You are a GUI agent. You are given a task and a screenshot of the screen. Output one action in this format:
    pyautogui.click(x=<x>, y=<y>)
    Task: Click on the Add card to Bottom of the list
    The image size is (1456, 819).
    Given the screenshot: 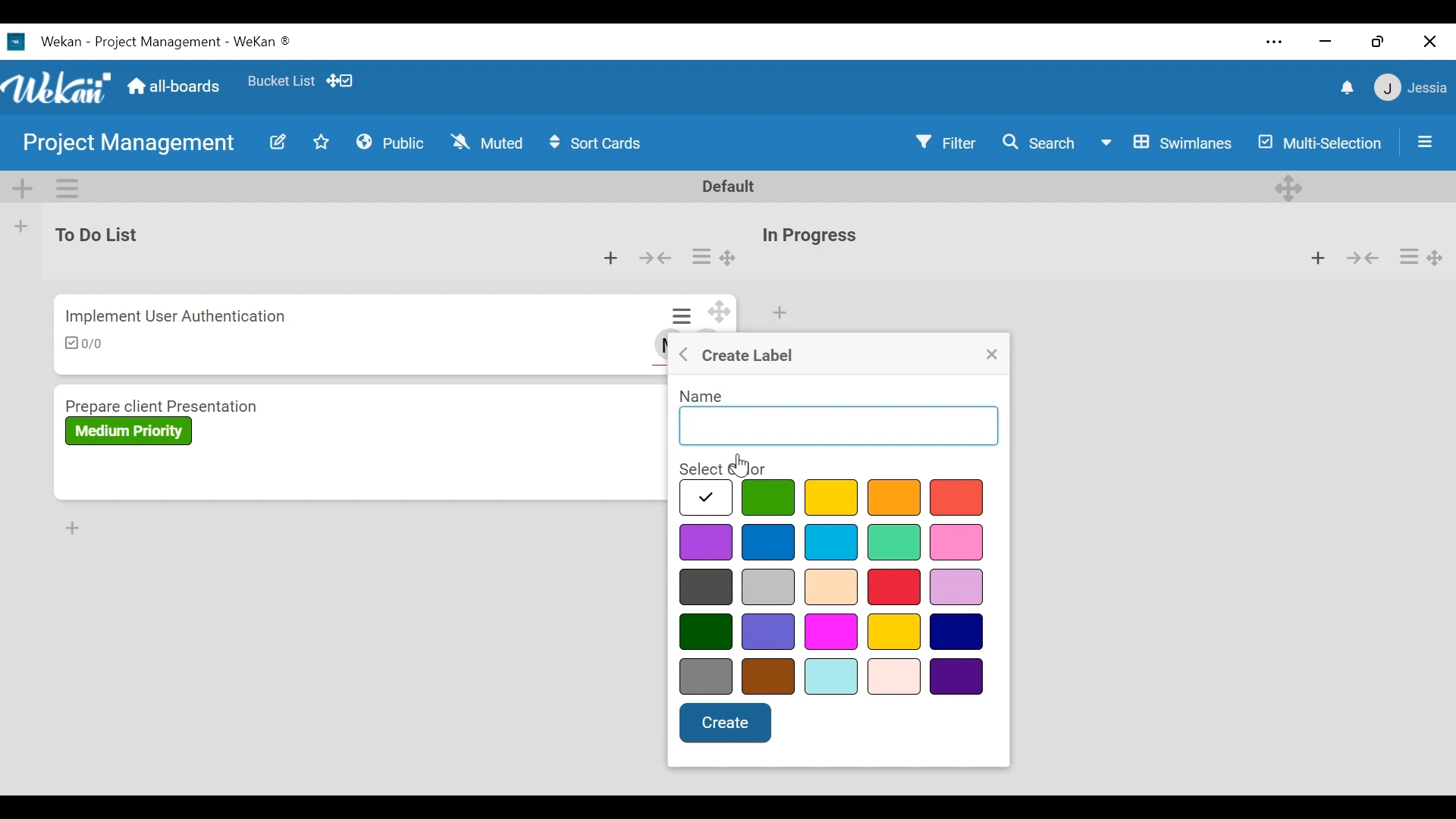 What is the action you would take?
    pyautogui.click(x=71, y=528)
    